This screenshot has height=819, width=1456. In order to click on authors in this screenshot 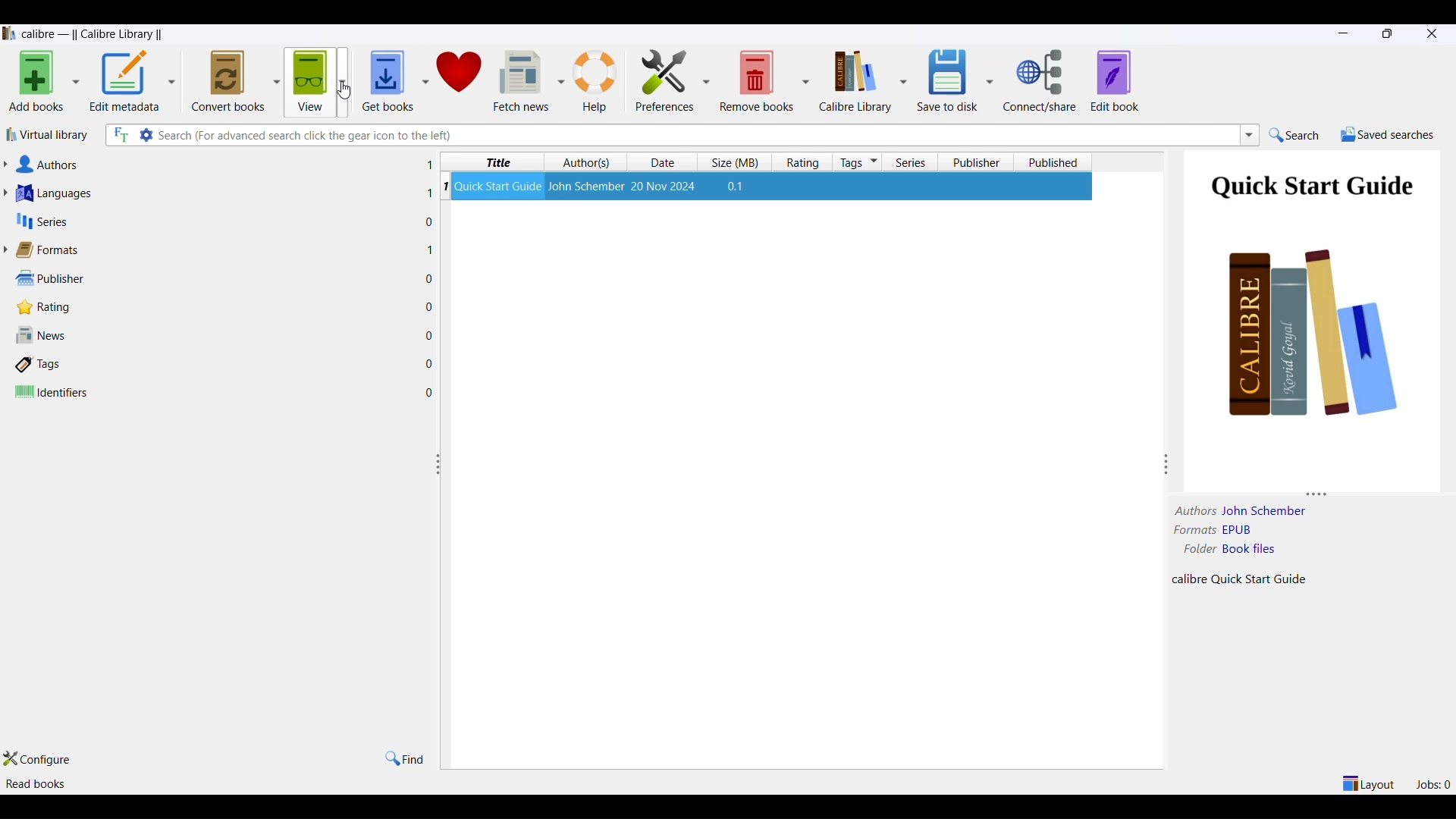, I will do `click(590, 162)`.